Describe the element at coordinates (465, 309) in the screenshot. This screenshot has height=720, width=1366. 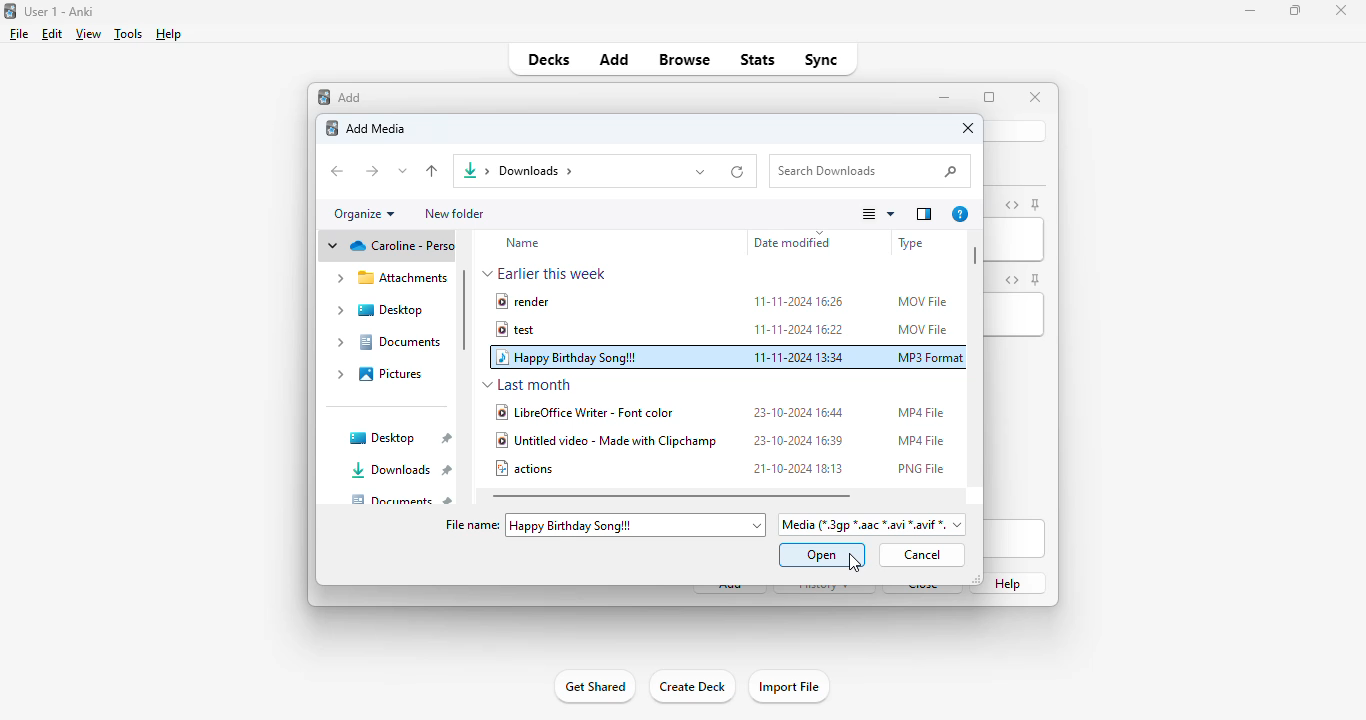
I see `vertical scroll bar` at that location.